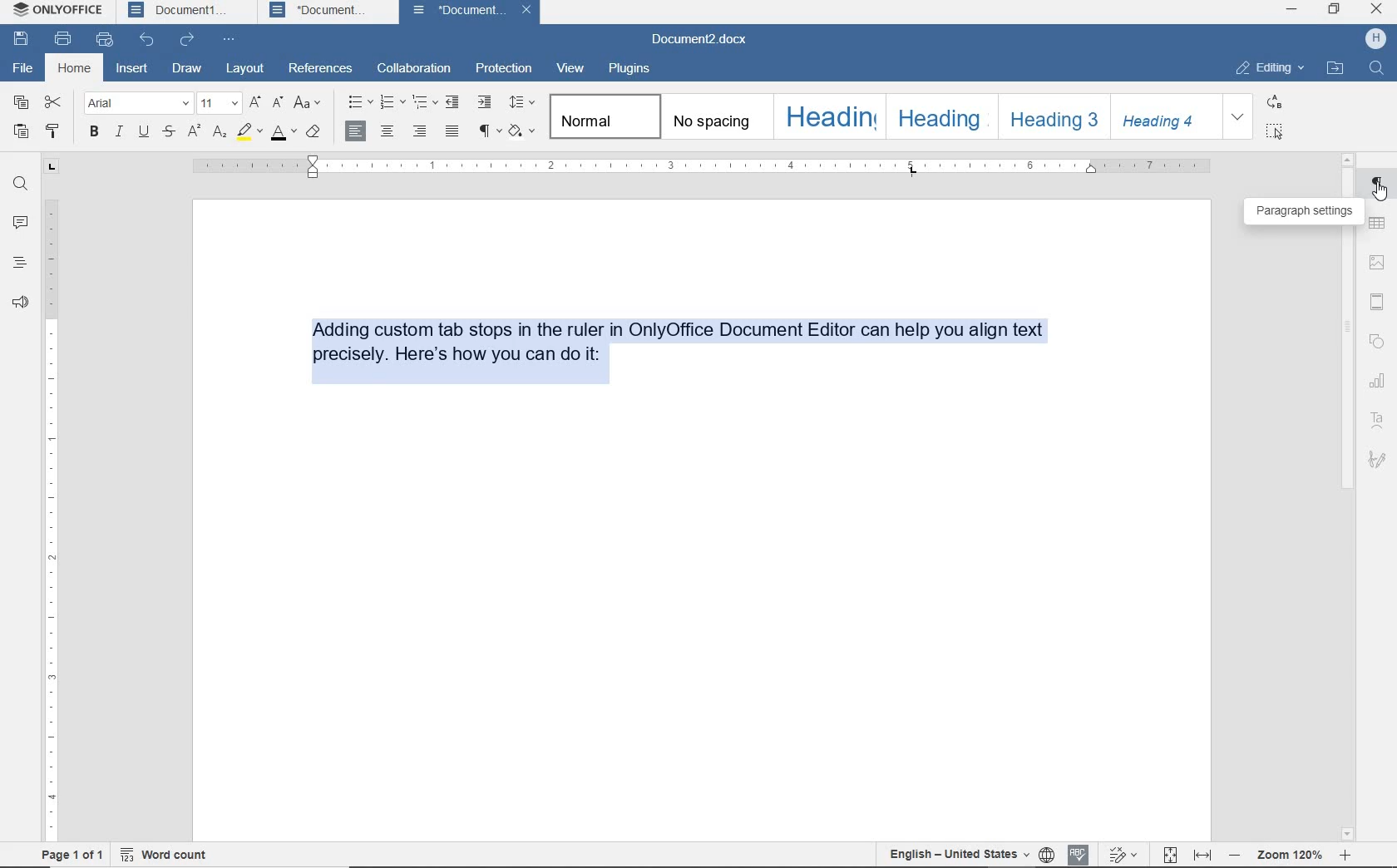 Image resolution: width=1397 pixels, height=868 pixels. I want to click on insert, so click(131, 70).